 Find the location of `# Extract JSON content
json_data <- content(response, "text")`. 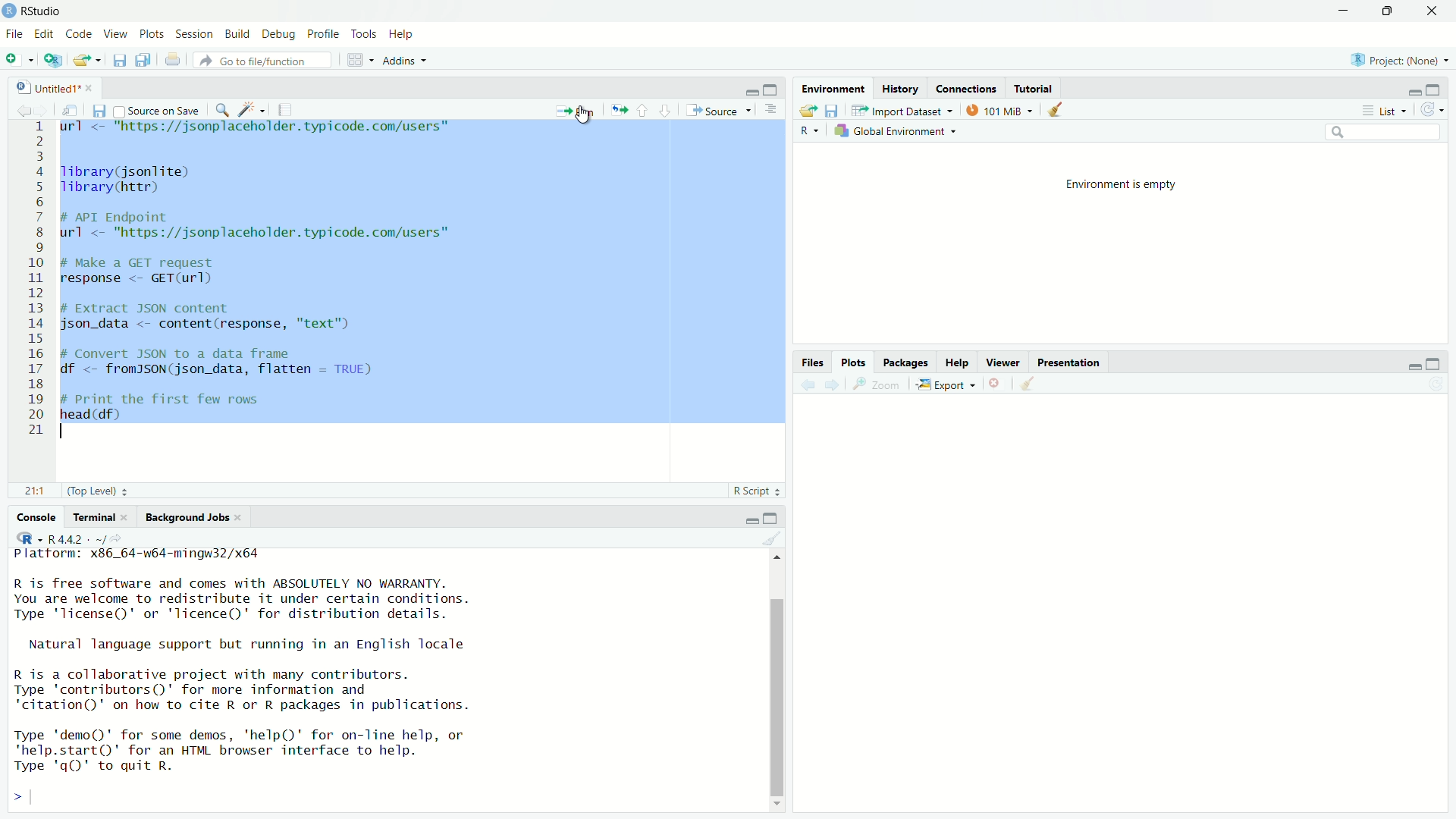

# Extract JSON content
json_data <- content(response, "text") is located at coordinates (209, 315).